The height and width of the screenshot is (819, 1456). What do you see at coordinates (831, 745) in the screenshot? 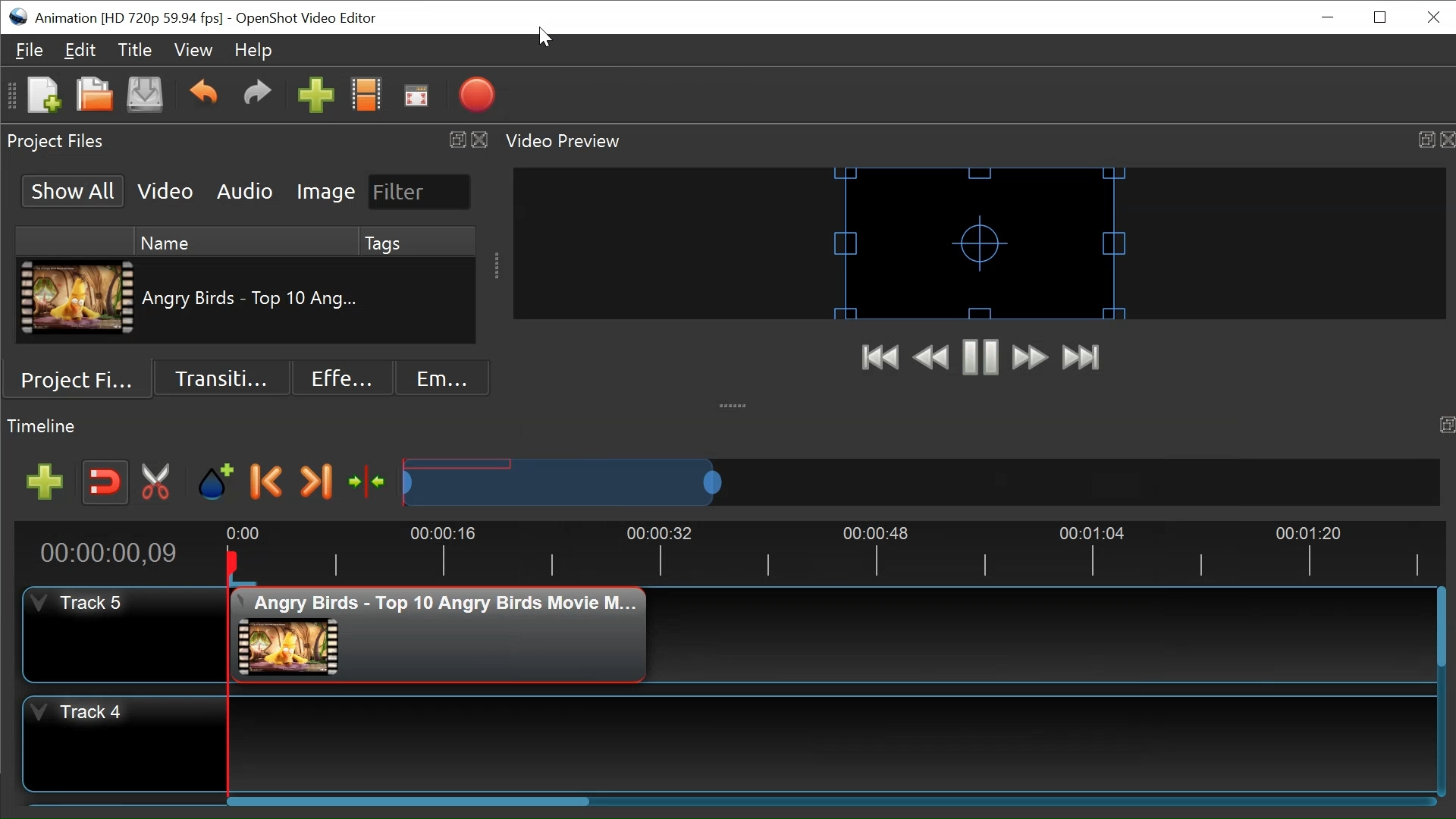
I see `Track Panel` at bounding box center [831, 745].